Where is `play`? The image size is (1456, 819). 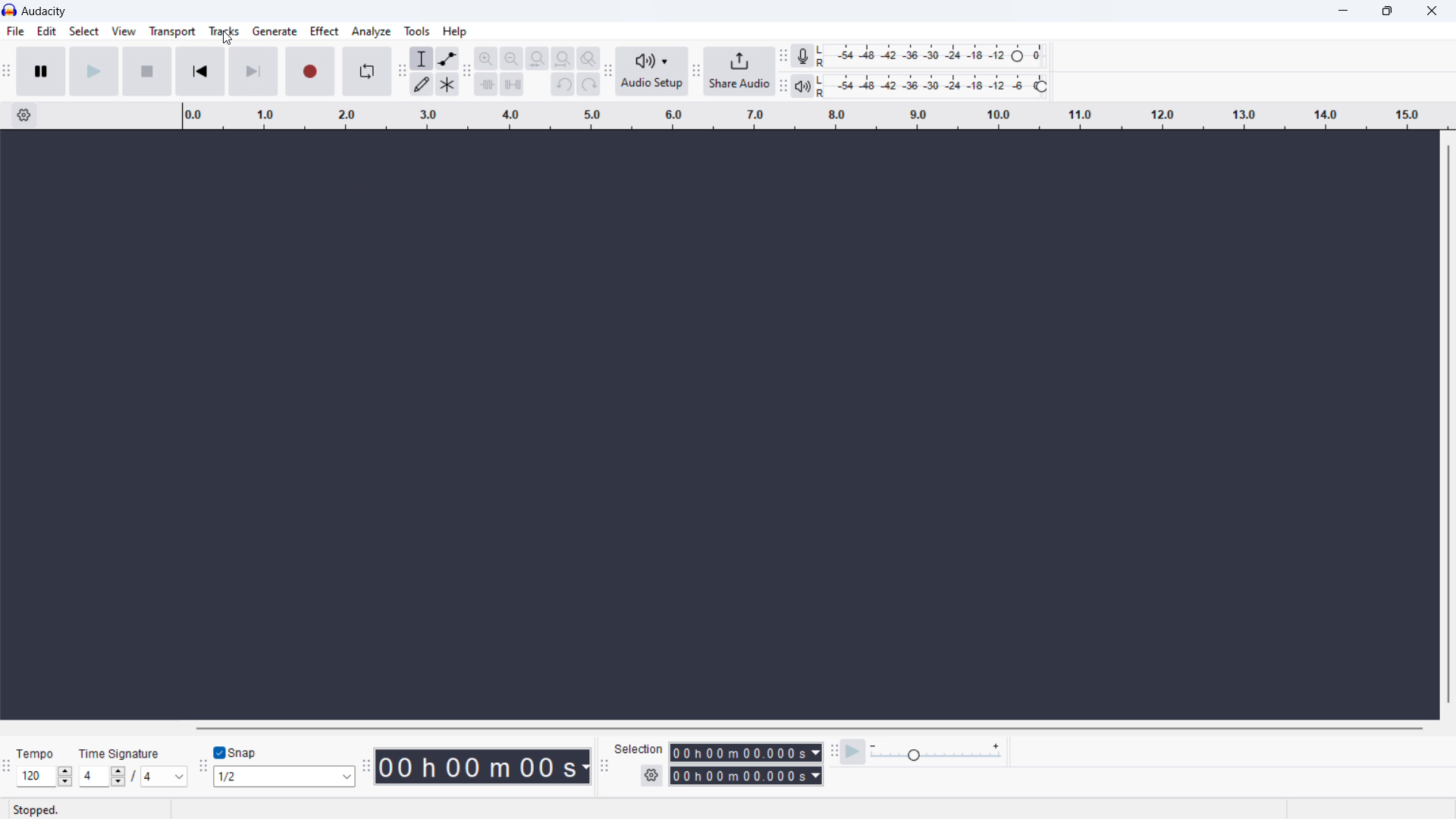
play is located at coordinates (93, 71).